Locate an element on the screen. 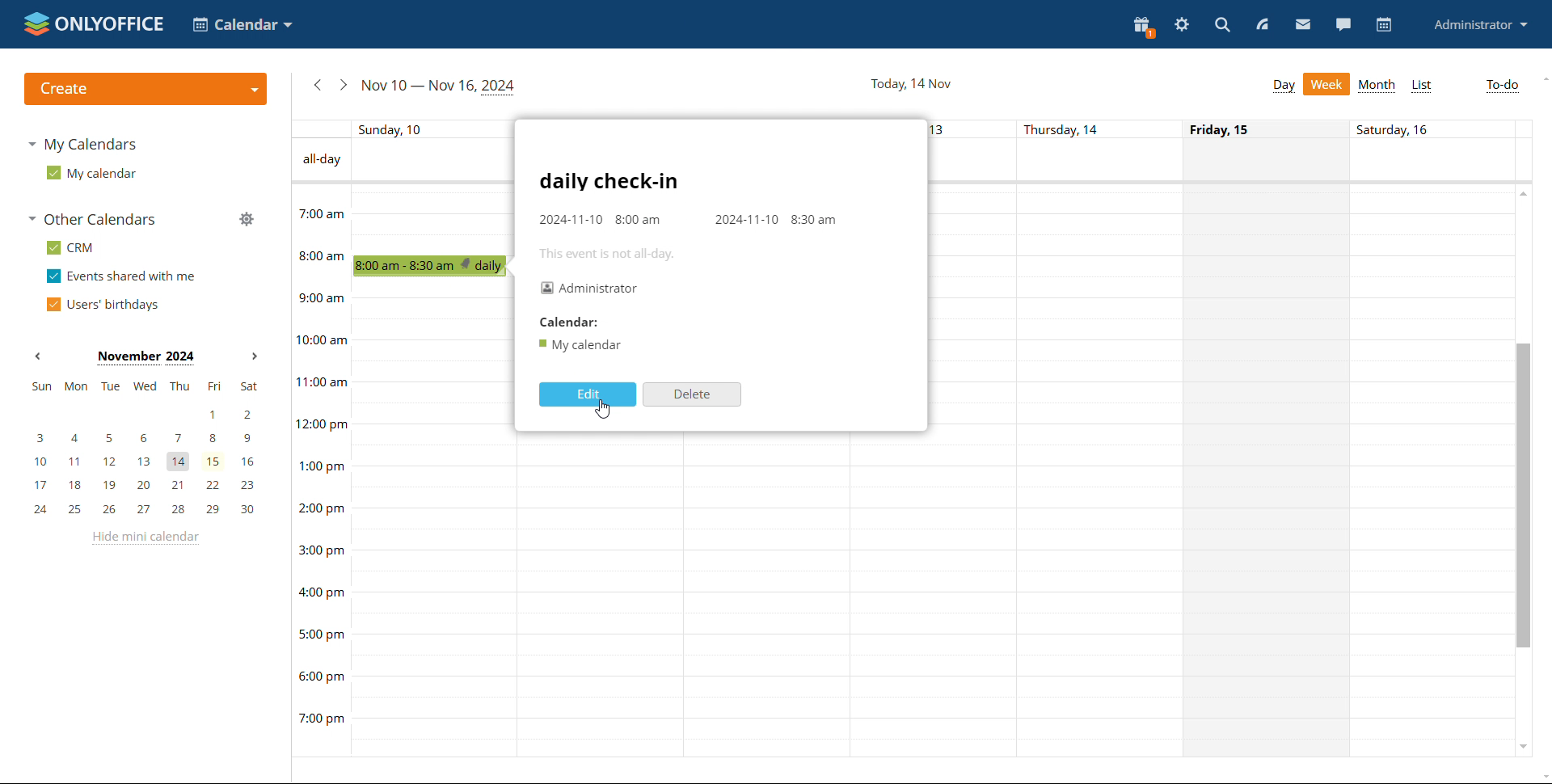 Image resolution: width=1552 pixels, height=784 pixels. scroll down is located at coordinates (1542, 777).